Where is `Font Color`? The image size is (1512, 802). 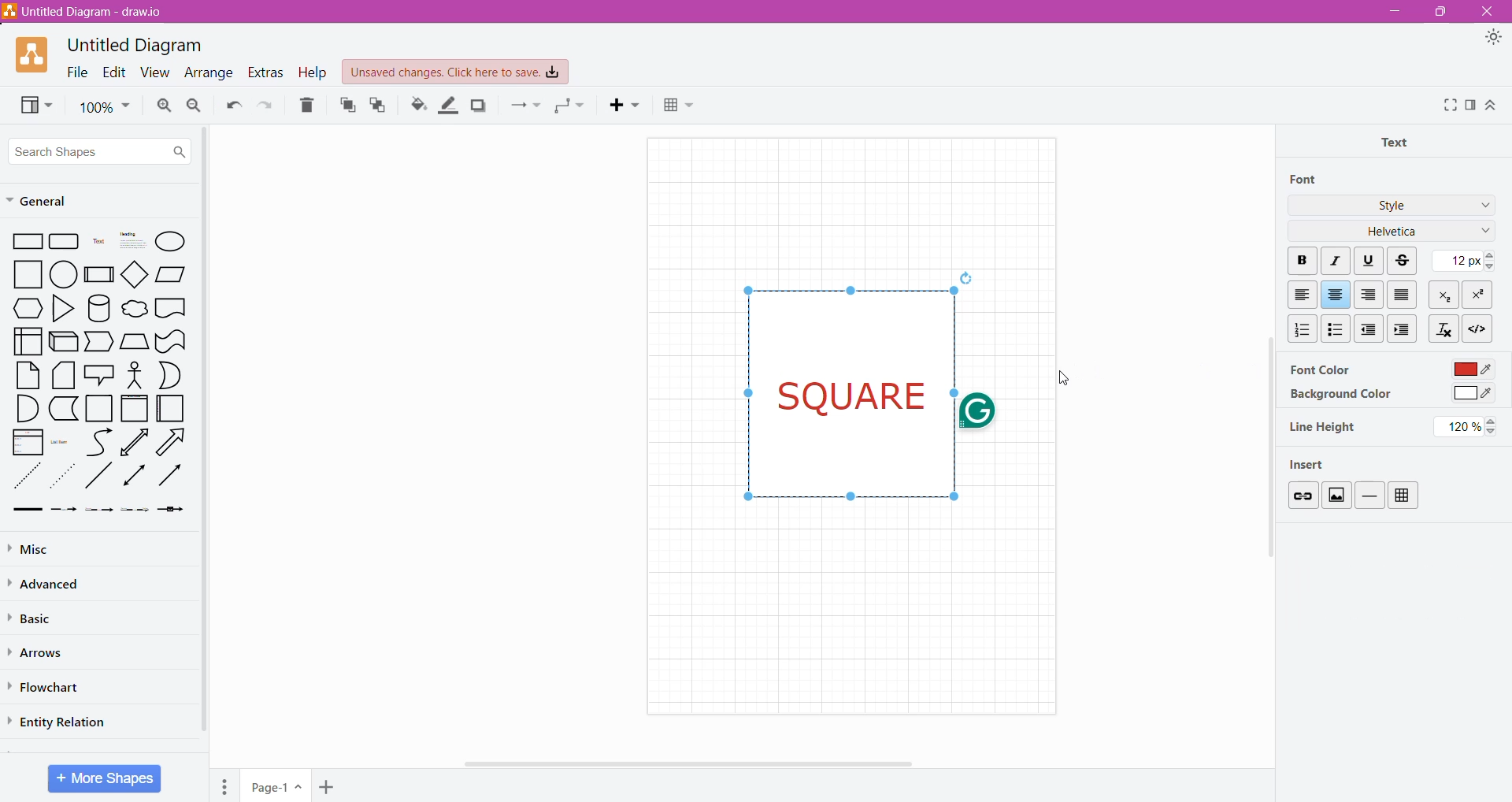 Font Color is located at coordinates (1319, 369).